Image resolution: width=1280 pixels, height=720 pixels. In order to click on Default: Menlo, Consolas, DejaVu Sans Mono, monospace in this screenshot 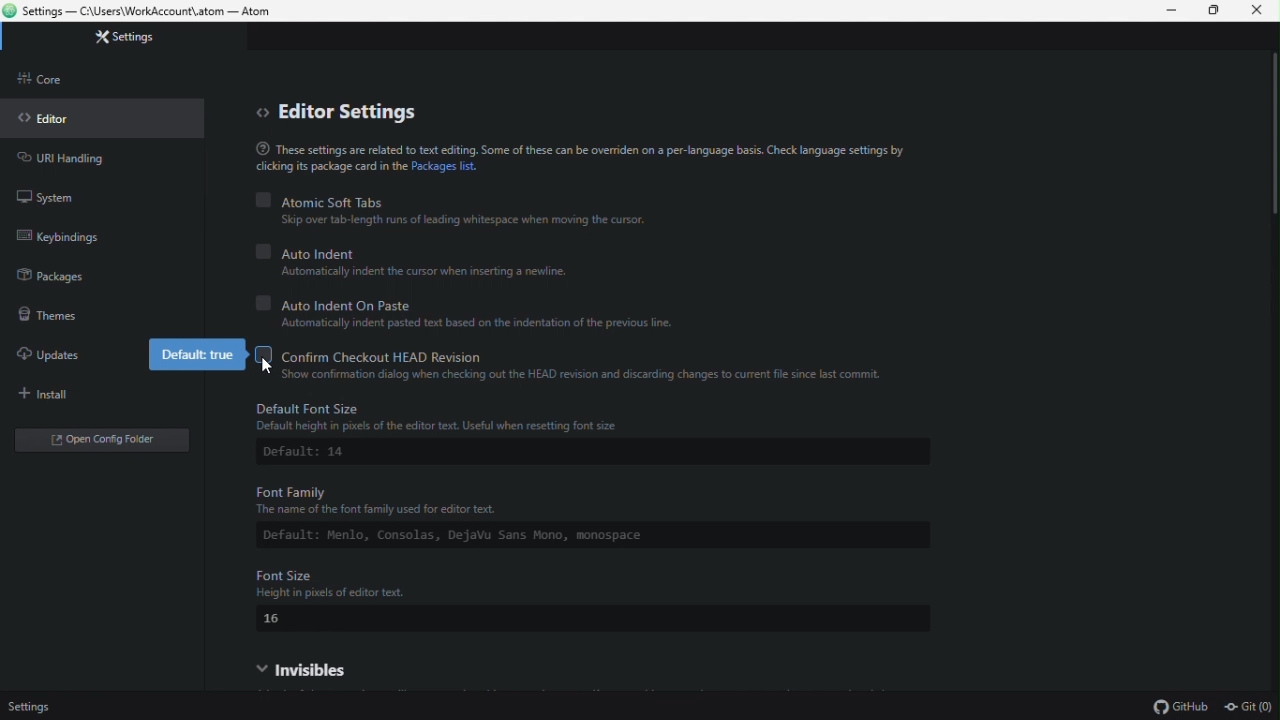, I will do `click(575, 535)`.